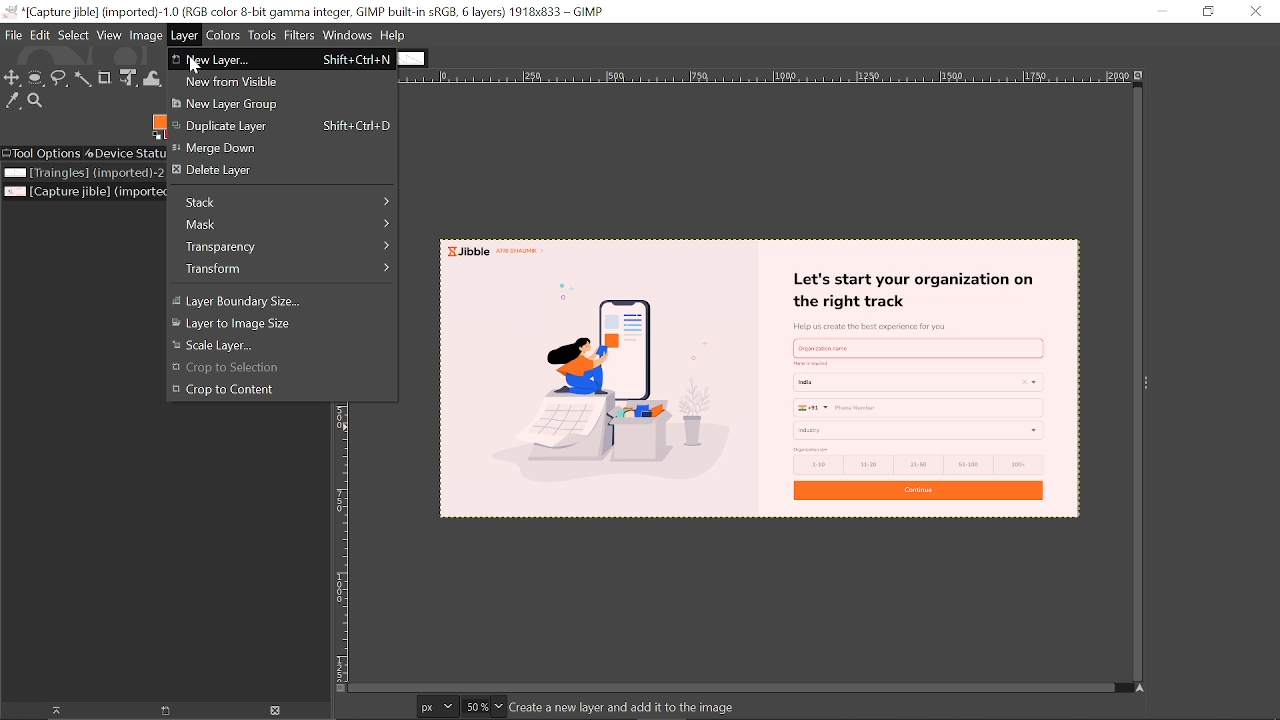  I want to click on File, so click(13, 35).